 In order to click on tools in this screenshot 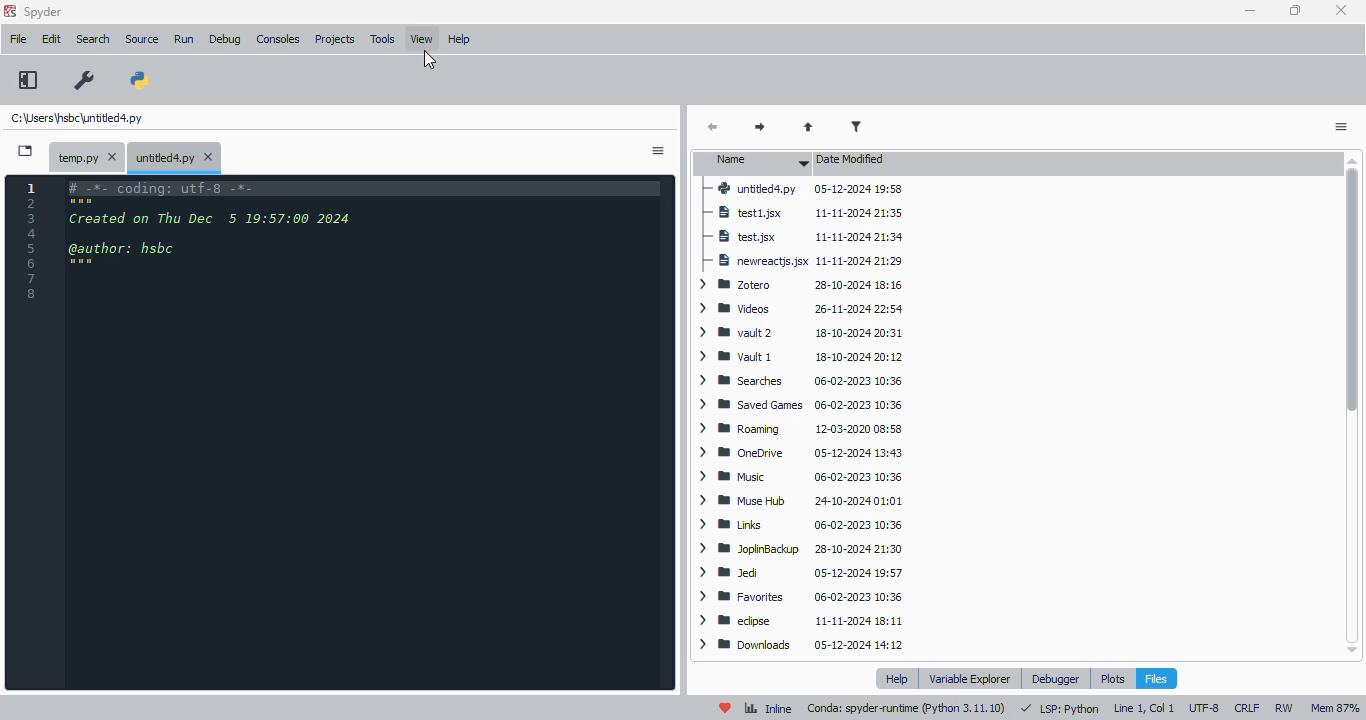, I will do `click(383, 39)`.